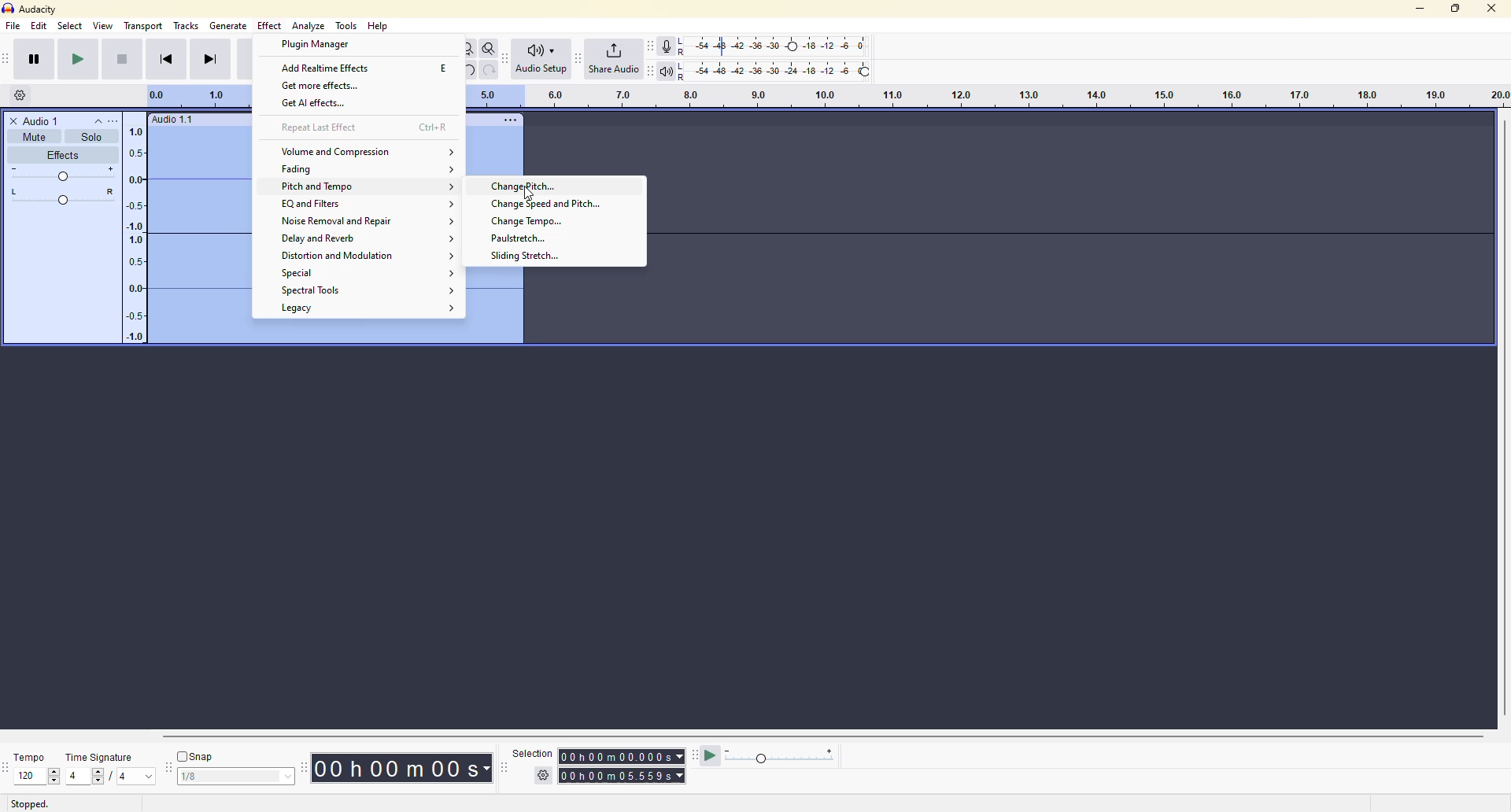 The height and width of the screenshot is (812, 1511). I want to click on stopped, so click(29, 803).